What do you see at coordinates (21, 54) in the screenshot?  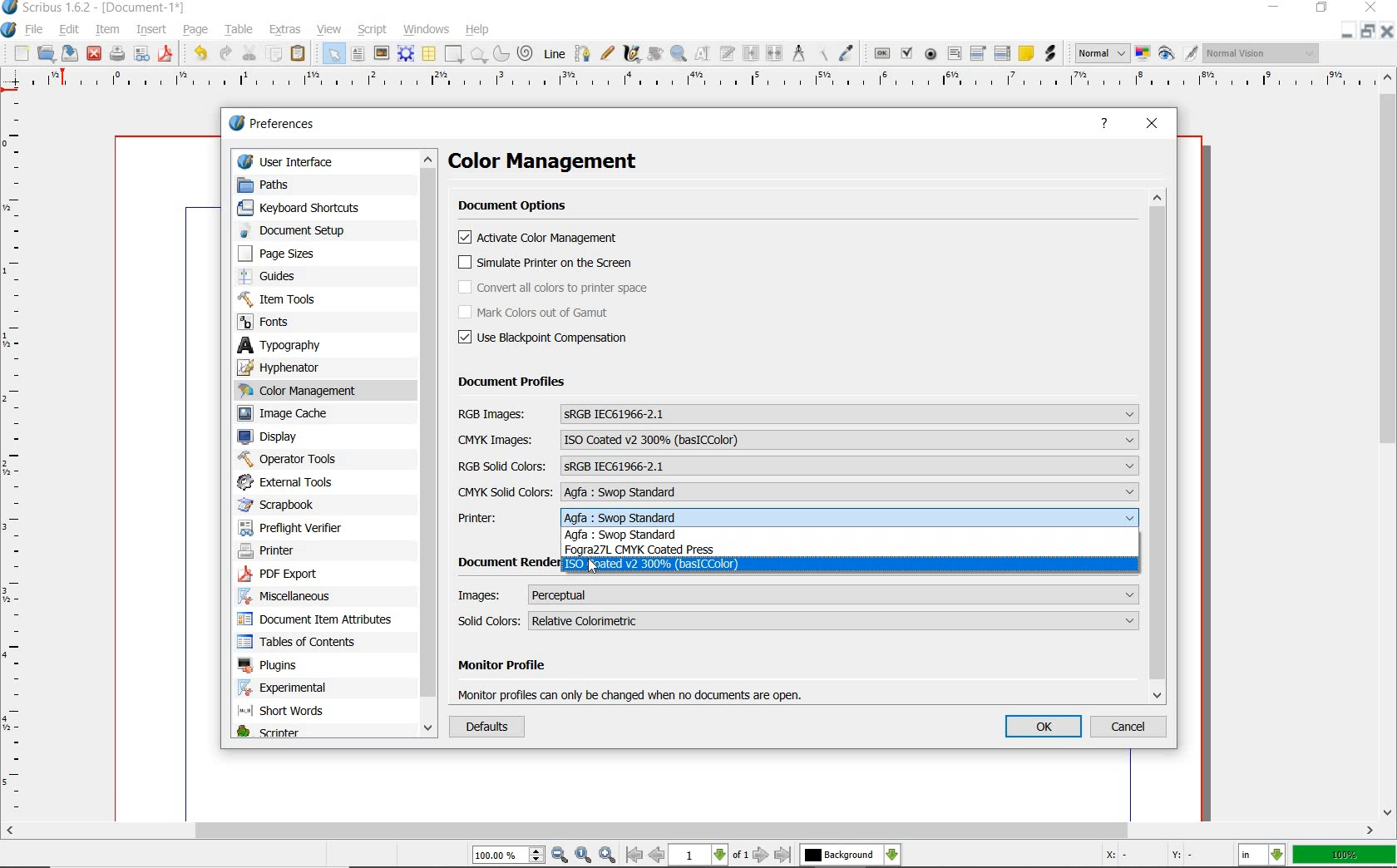 I see `new` at bounding box center [21, 54].